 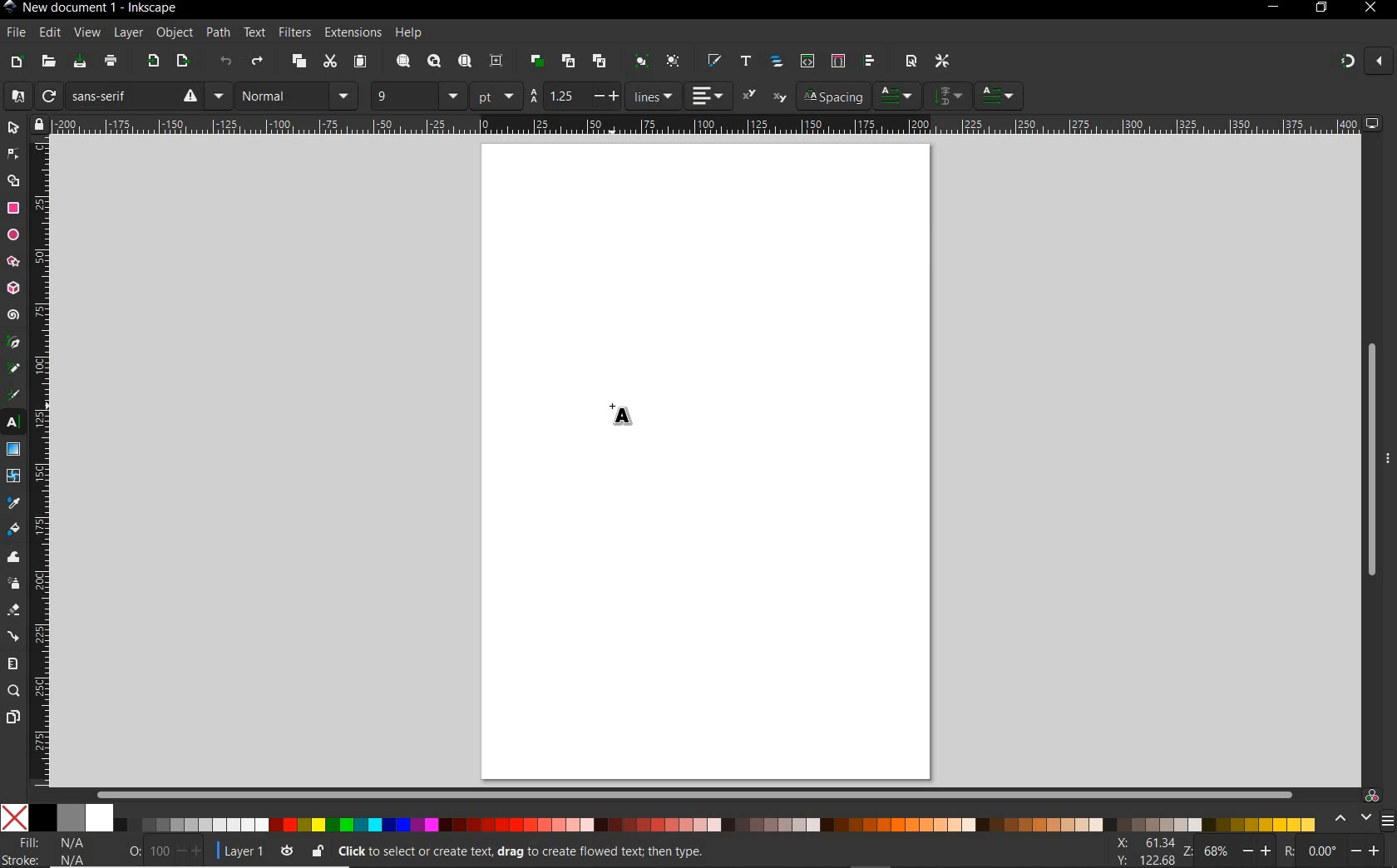 I want to click on color scroll options, so click(x=1348, y=819).